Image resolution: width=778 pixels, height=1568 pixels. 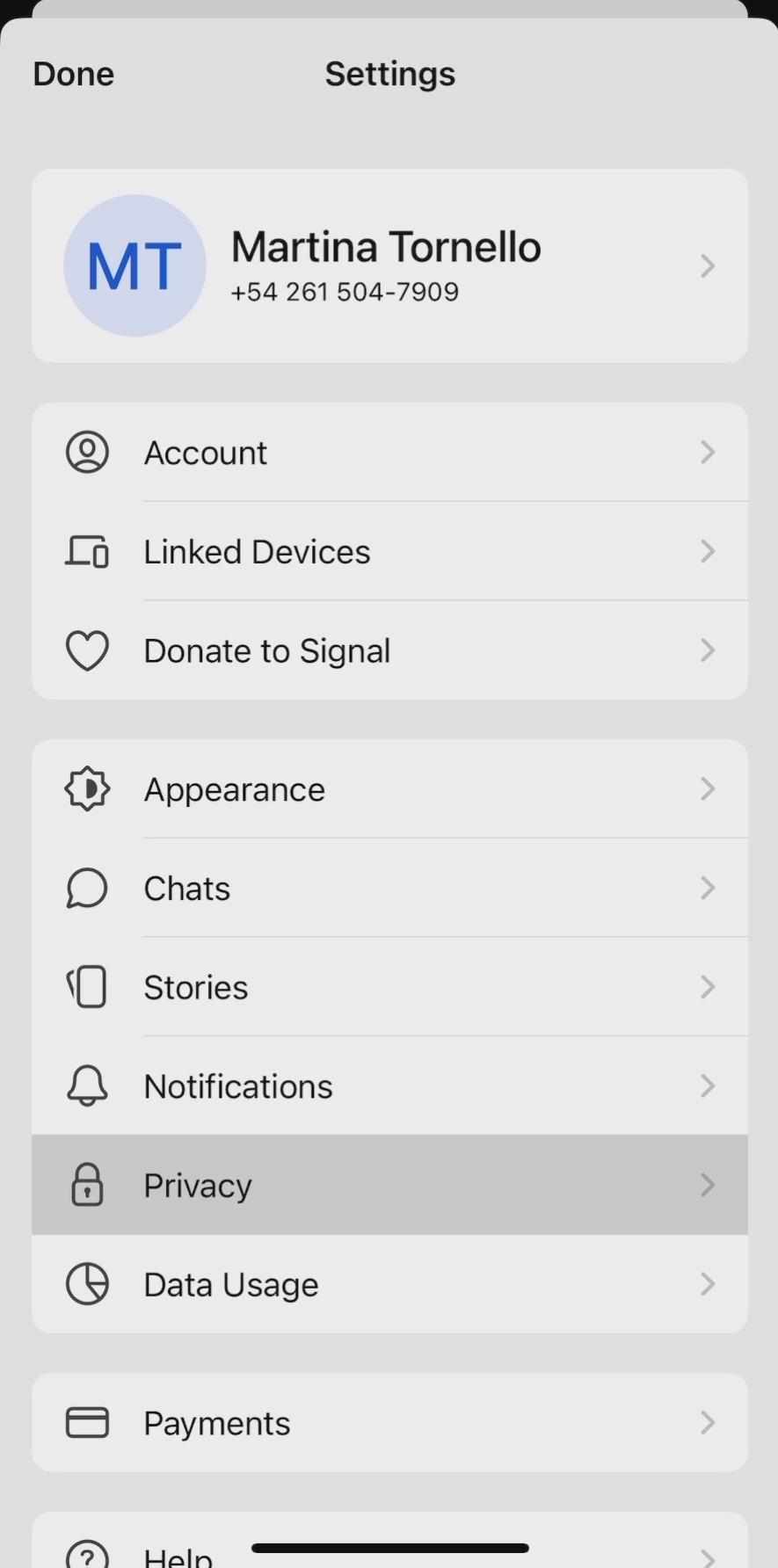 What do you see at coordinates (383, 452) in the screenshot?
I see `account` at bounding box center [383, 452].